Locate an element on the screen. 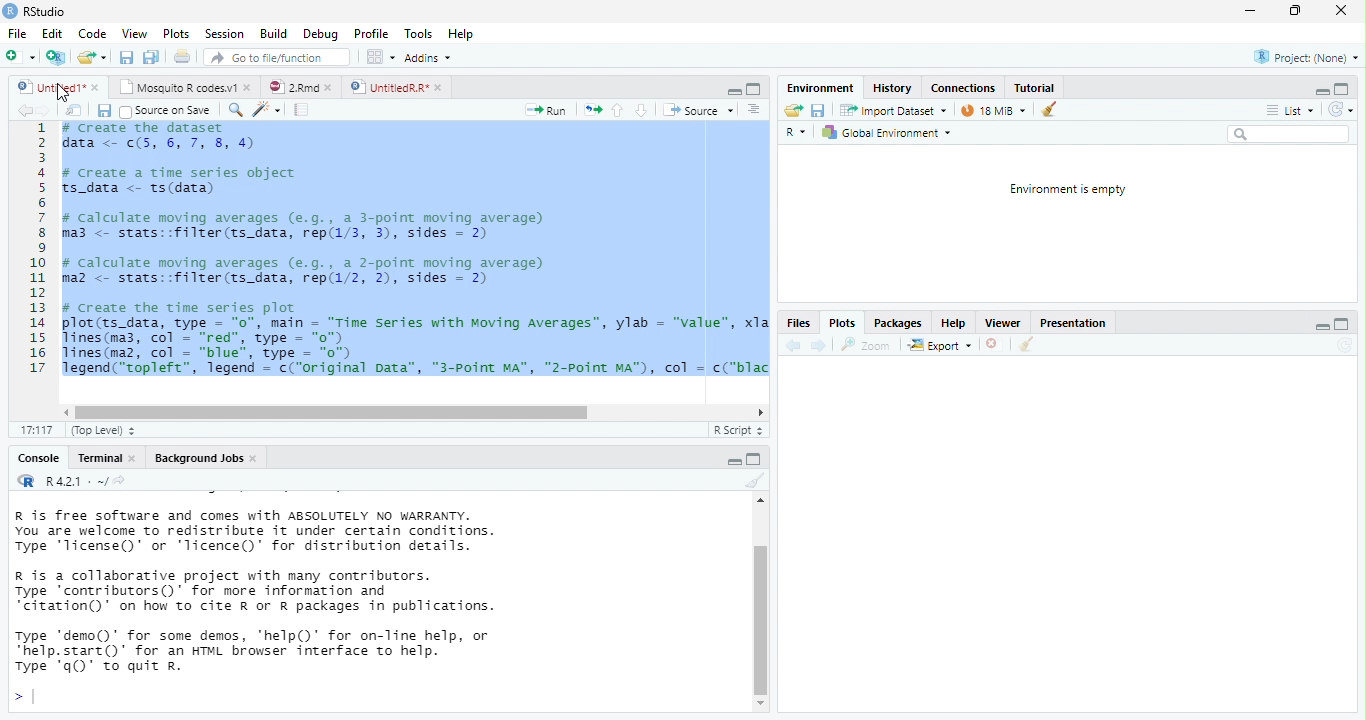  R is located at coordinates (798, 134).